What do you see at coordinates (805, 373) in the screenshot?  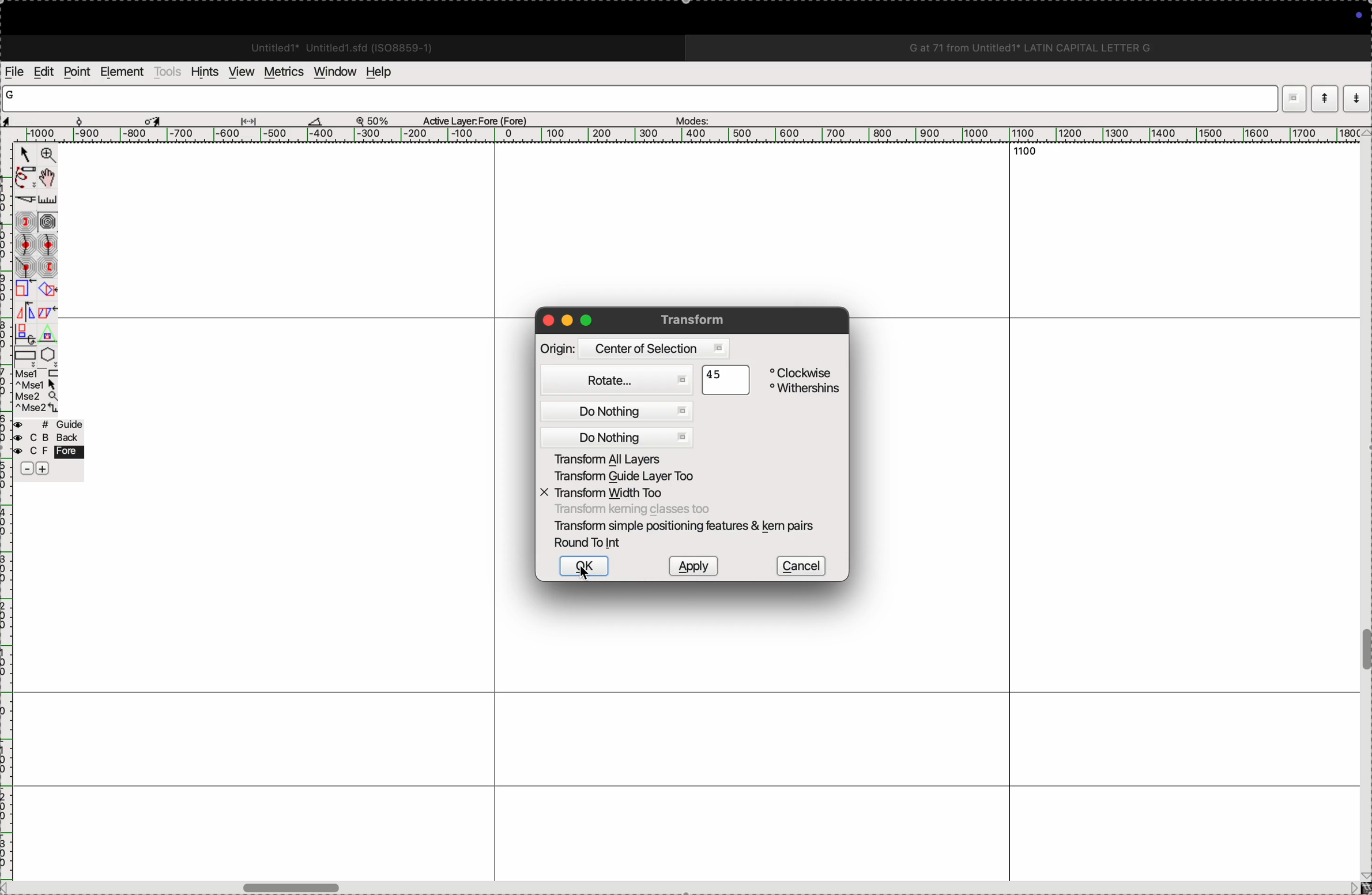 I see `Clockwise` at bounding box center [805, 373].